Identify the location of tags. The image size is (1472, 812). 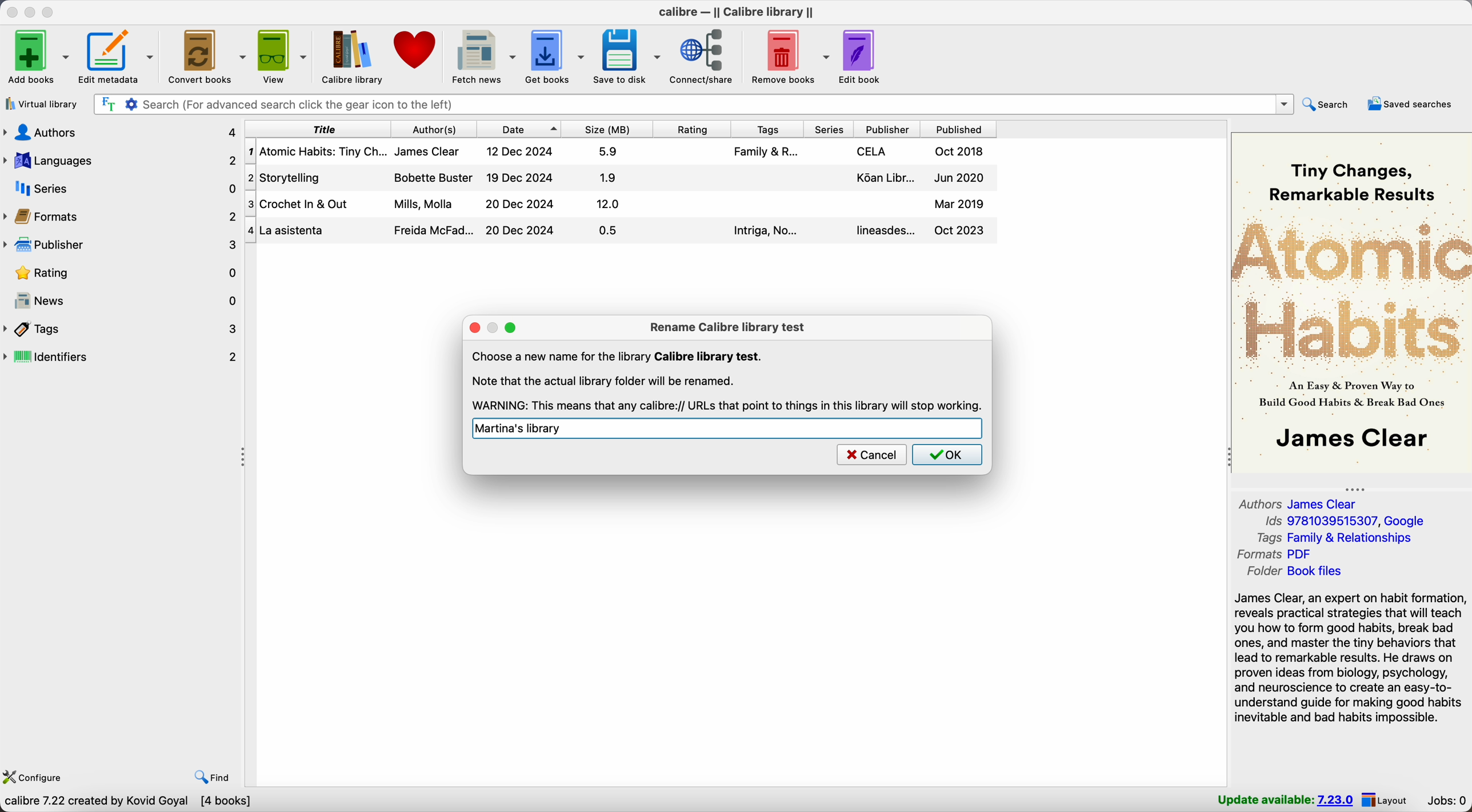
(766, 129).